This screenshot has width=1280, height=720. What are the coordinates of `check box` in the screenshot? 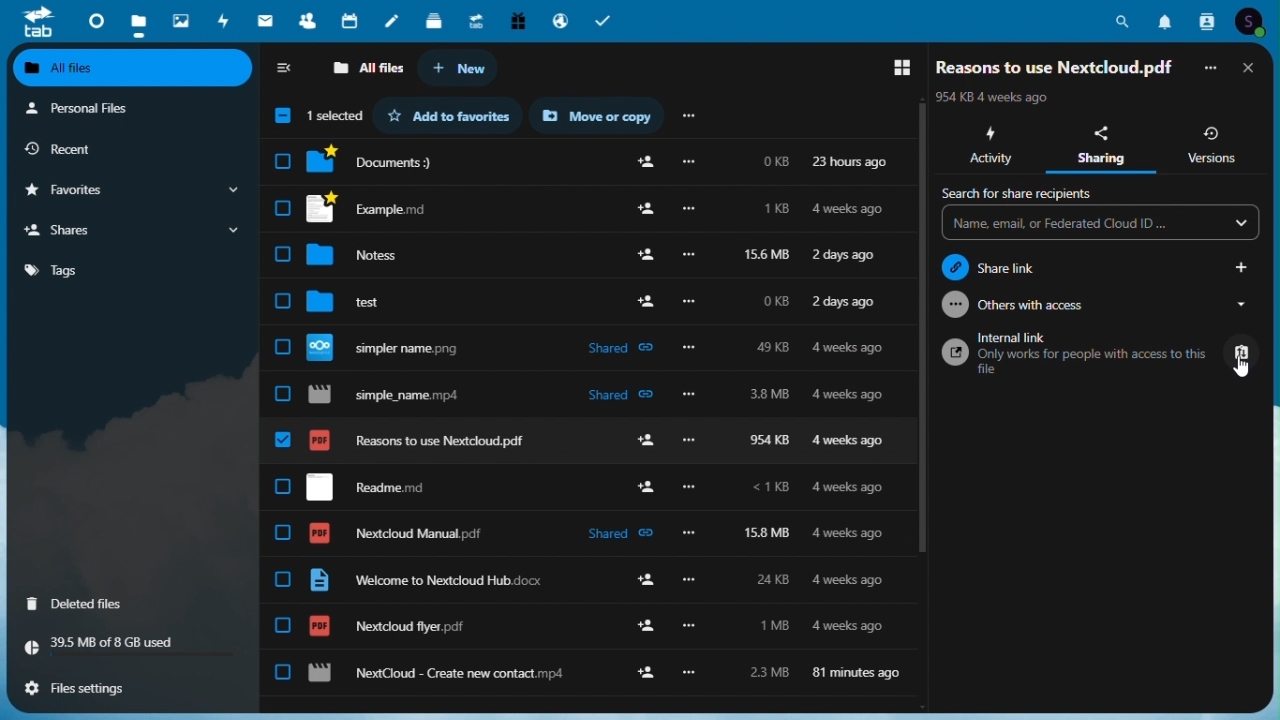 It's located at (282, 394).